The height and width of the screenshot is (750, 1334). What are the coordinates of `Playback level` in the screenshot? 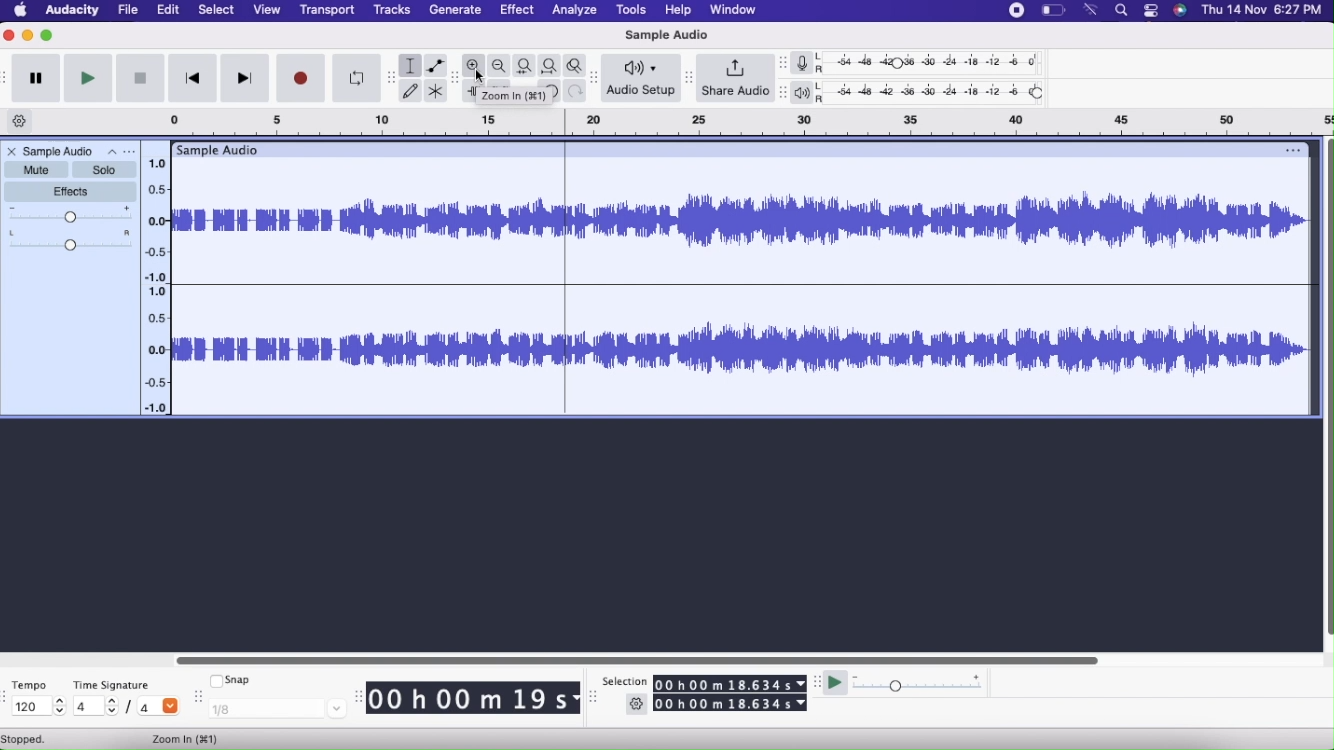 It's located at (938, 94).